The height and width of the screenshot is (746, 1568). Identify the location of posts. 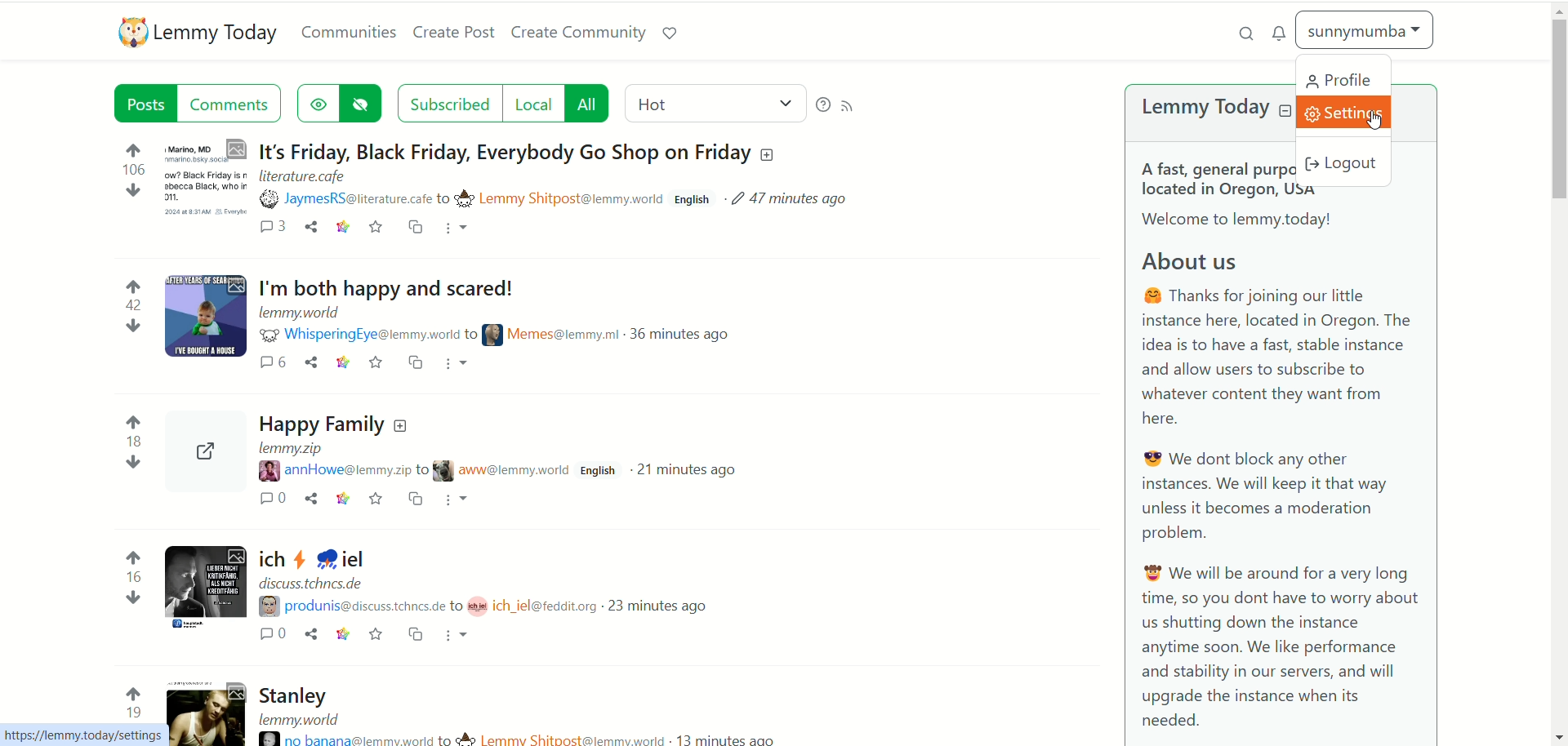
(143, 102).